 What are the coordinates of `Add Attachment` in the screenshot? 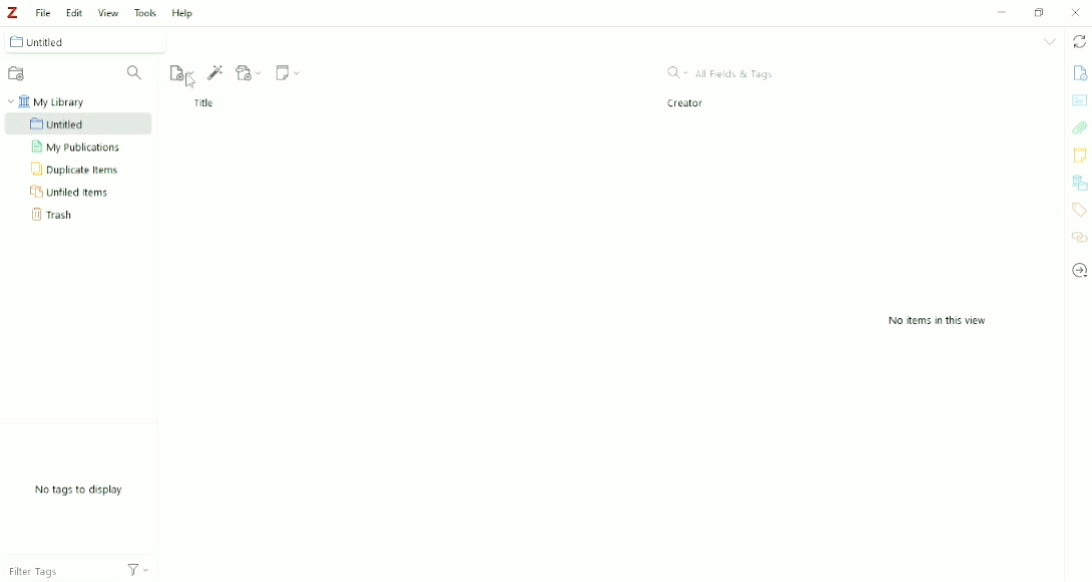 It's located at (250, 71).